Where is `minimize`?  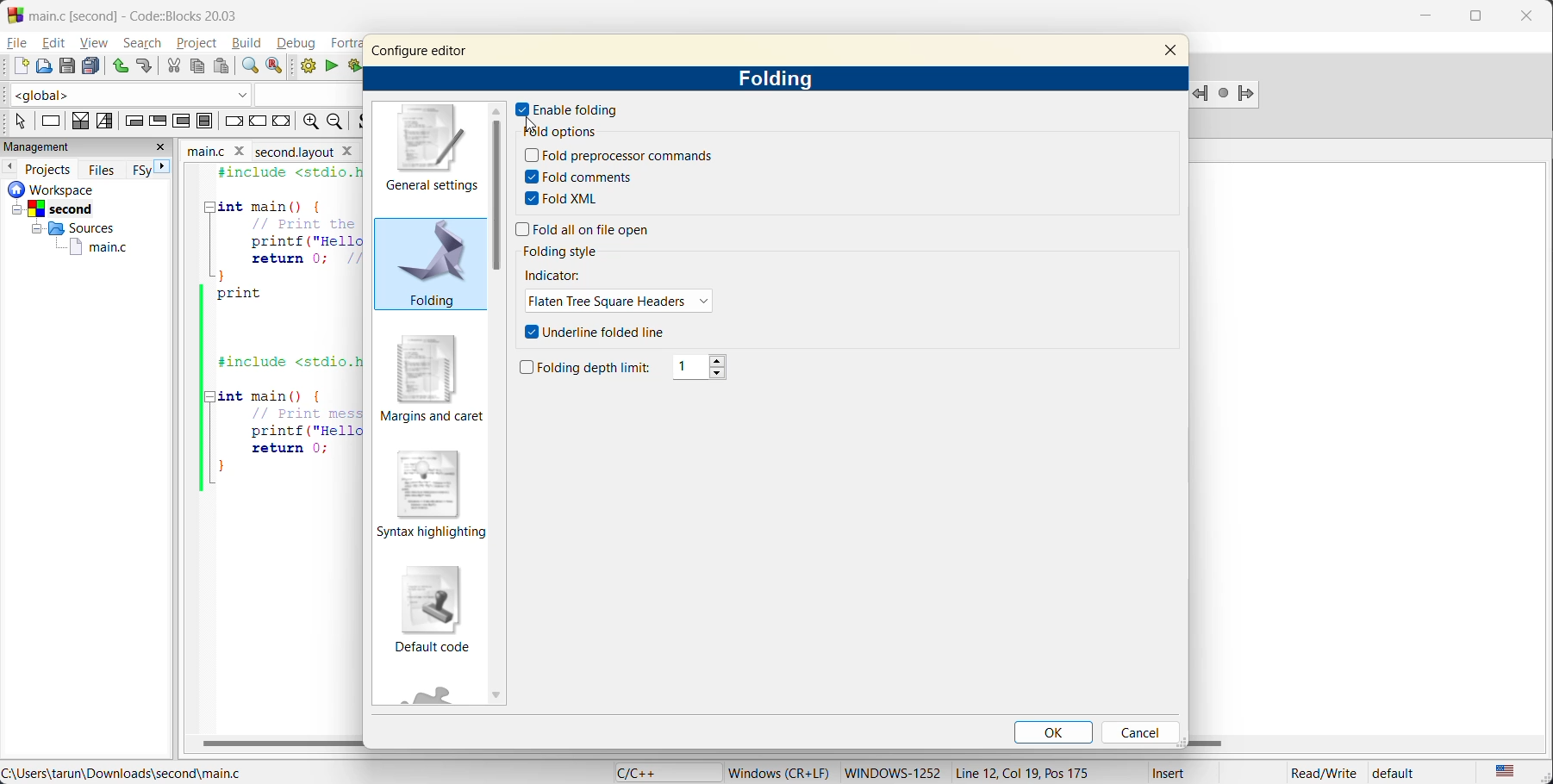
minimize is located at coordinates (1424, 17).